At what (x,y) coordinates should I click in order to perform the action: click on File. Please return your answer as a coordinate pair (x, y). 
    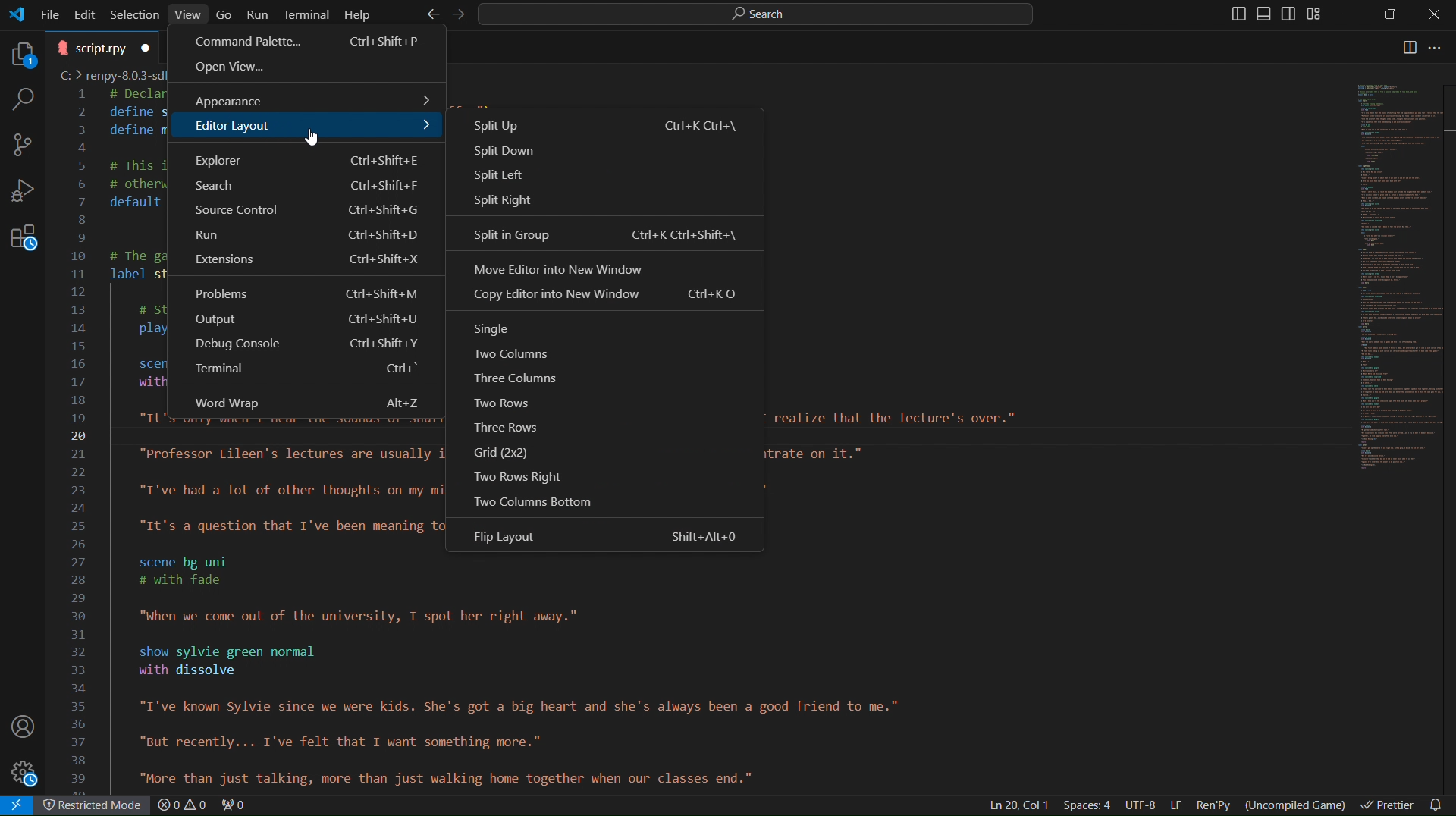
    Looking at the image, I should click on (52, 13).